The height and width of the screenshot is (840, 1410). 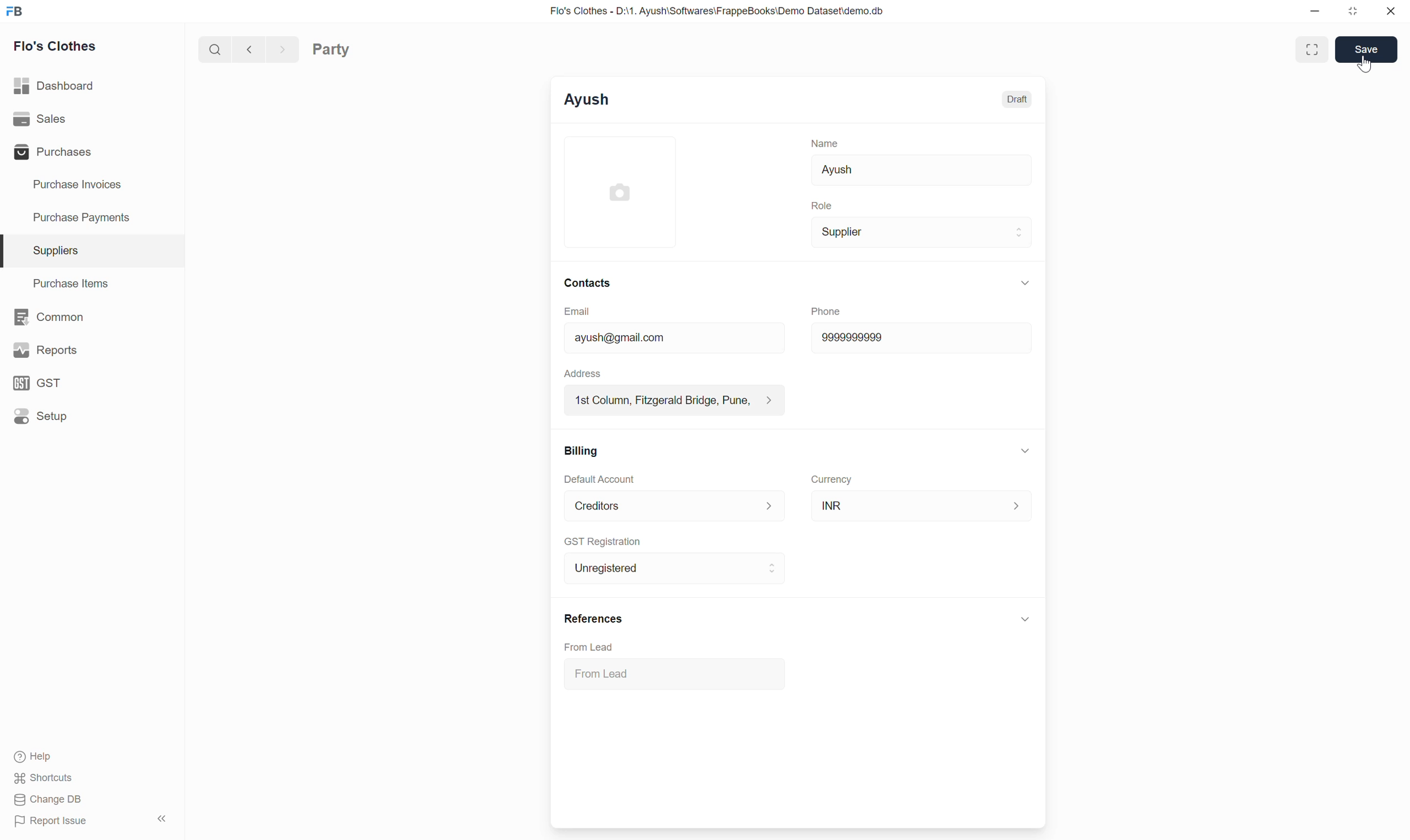 I want to click on GST, so click(x=91, y=383).